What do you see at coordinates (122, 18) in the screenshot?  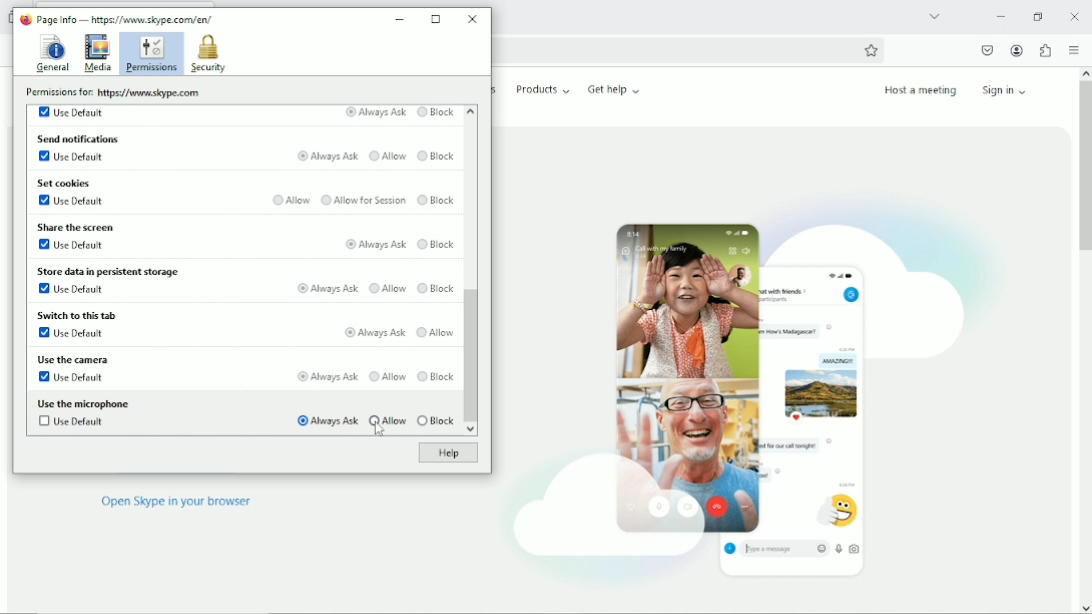 I see `Page Info — hips: www. skype com/en` at bounding box center [122, 18].